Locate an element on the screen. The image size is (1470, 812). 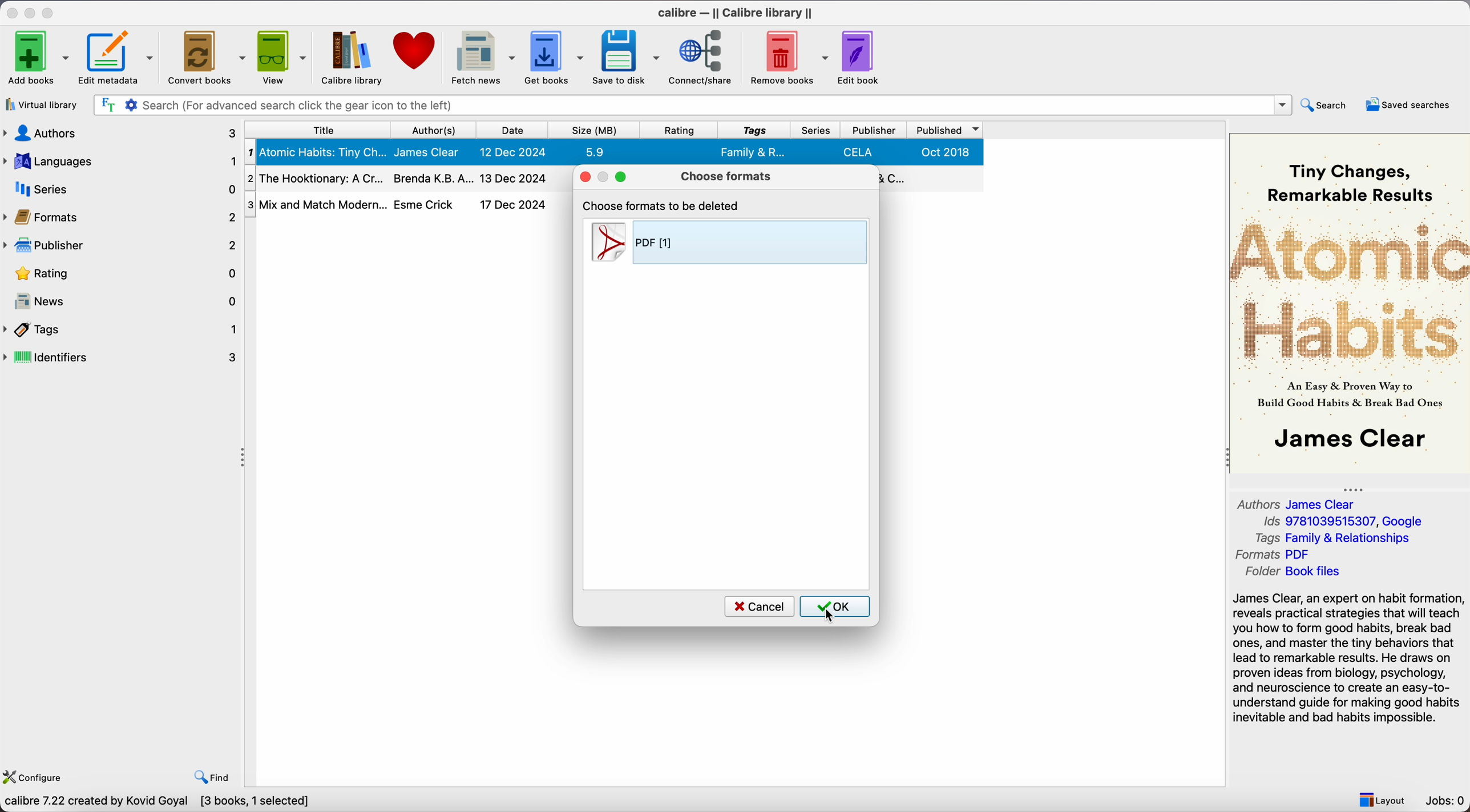
Formats PDF is located at coordinates (1276, 555).